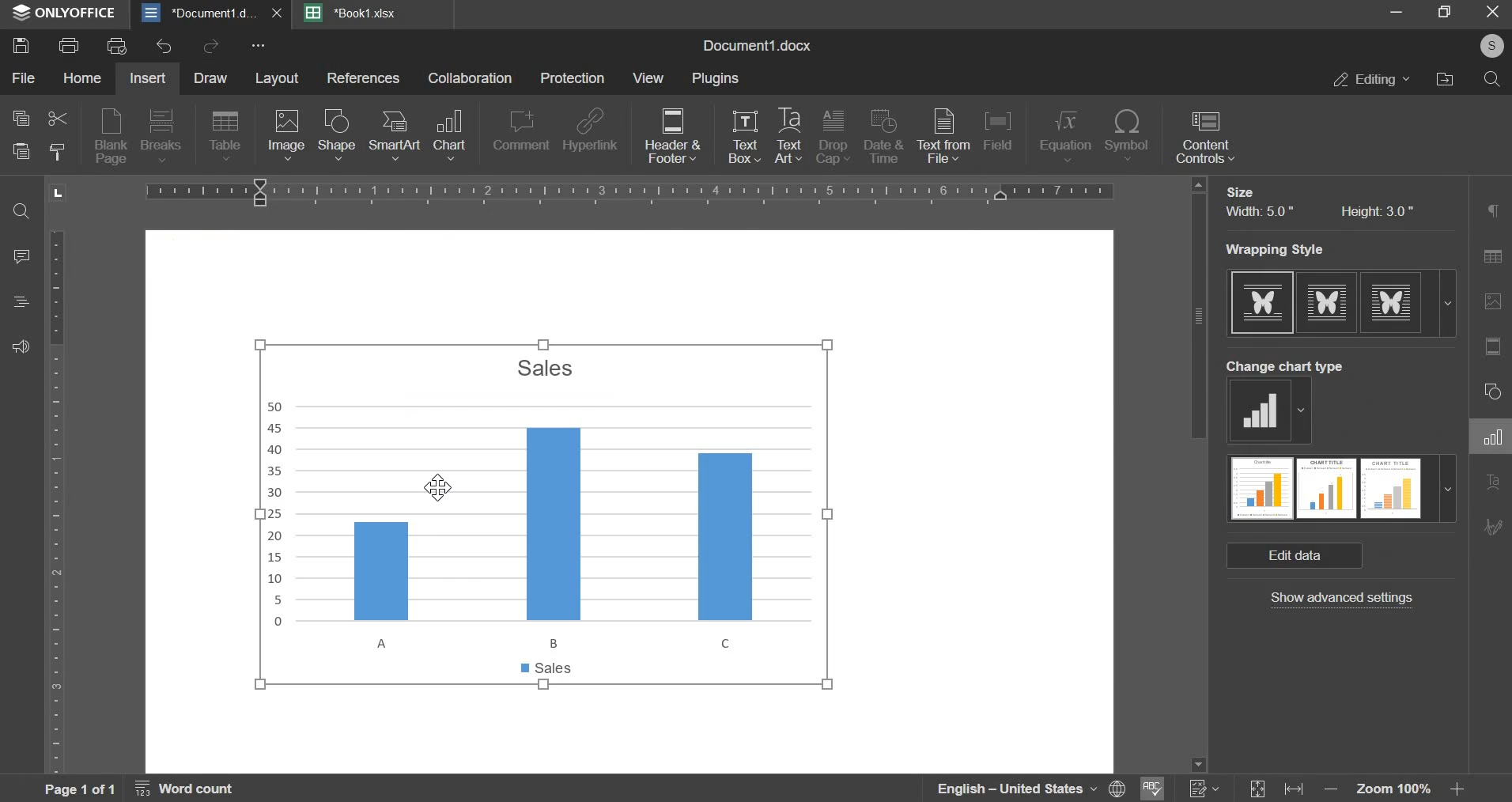  I want to click on chart, so click(449, 134).